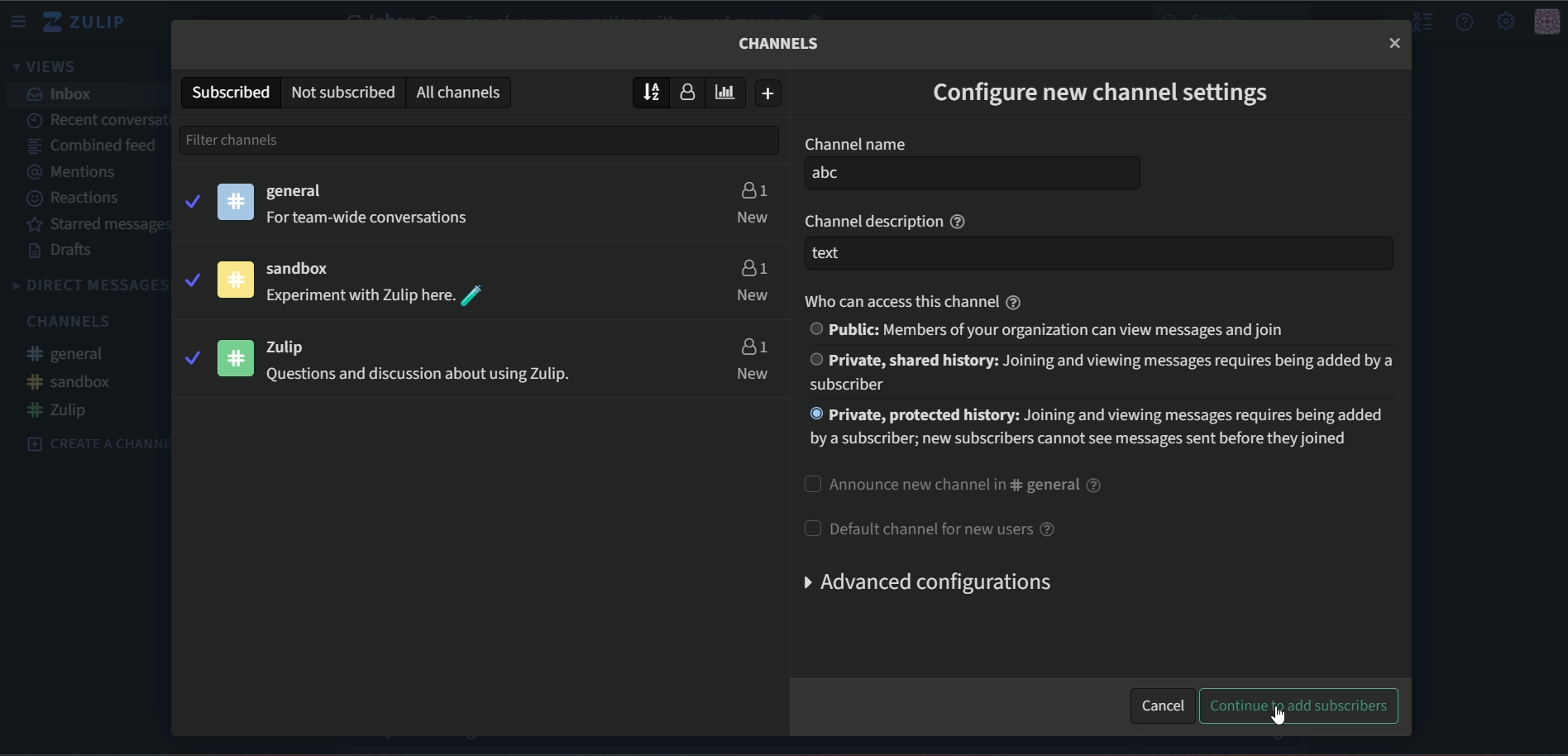 The height and width of the screenshot is (756, 1568). What do you see at coordinates (237, 357) in the screenshot?
I see `icon` at bounding box center [237, 357].